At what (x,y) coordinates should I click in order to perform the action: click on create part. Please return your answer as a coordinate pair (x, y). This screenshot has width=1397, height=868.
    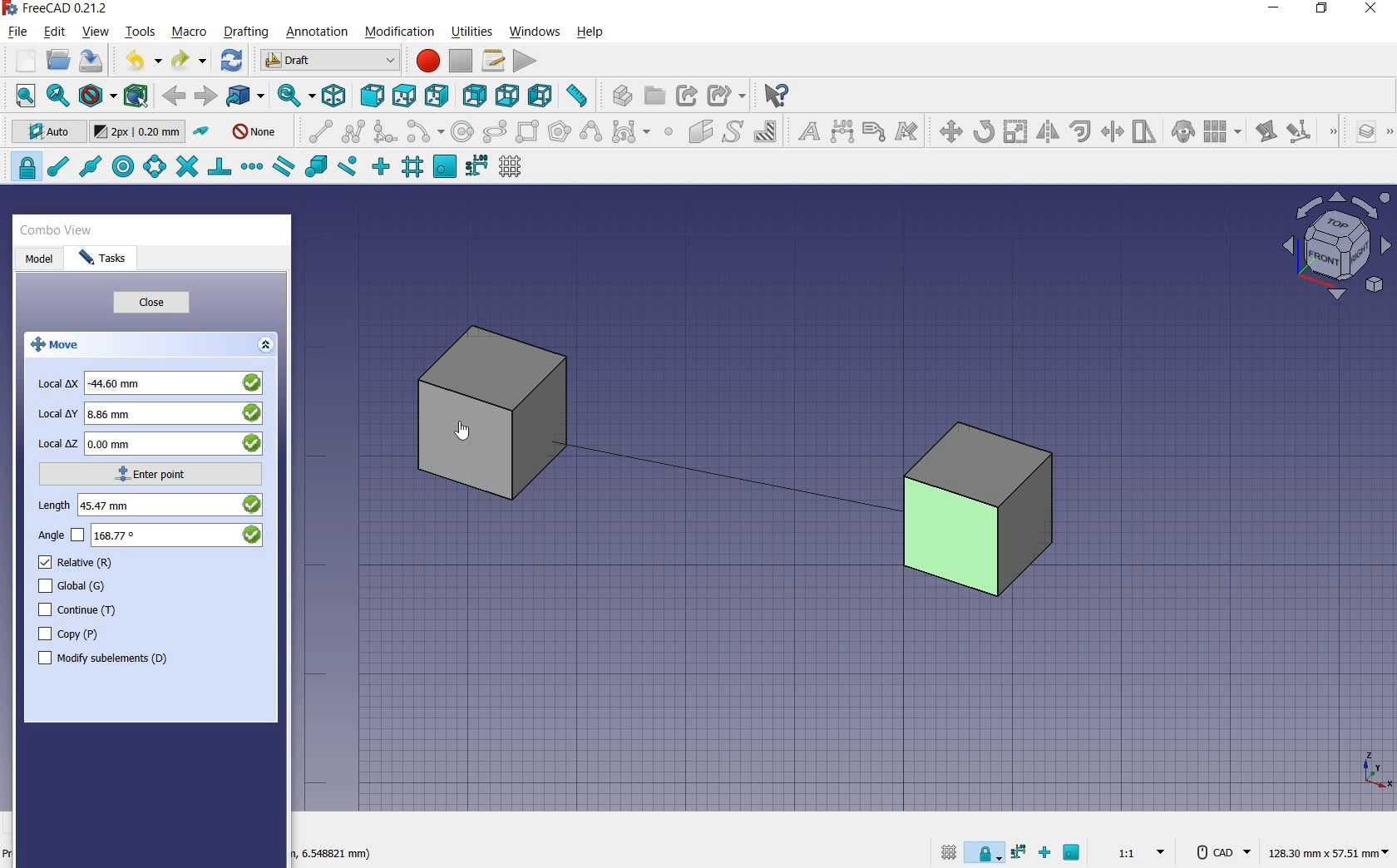
    Looking at the image, I should click on (618, 95).